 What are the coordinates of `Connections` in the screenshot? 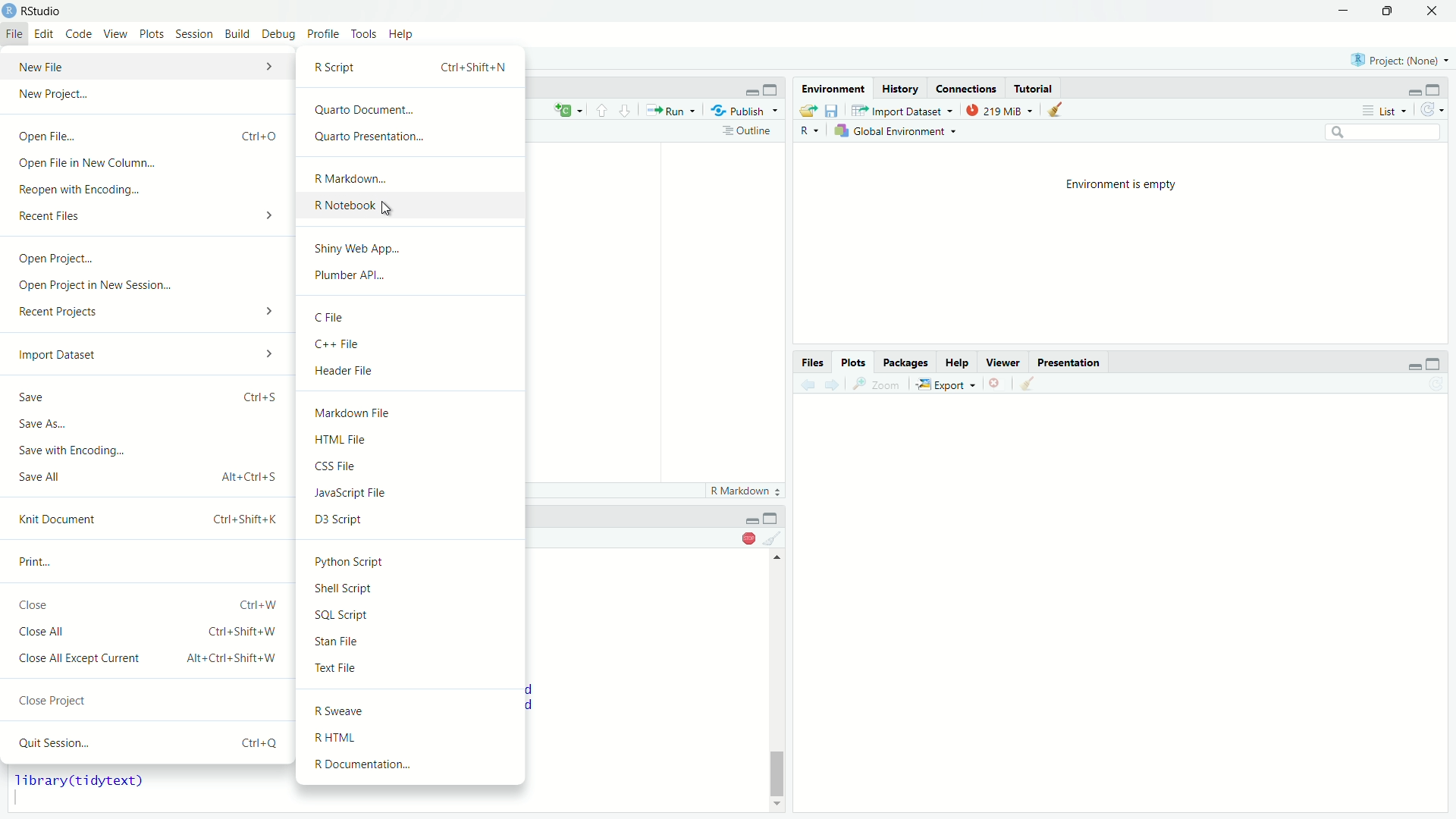 It's located at (966, 87).